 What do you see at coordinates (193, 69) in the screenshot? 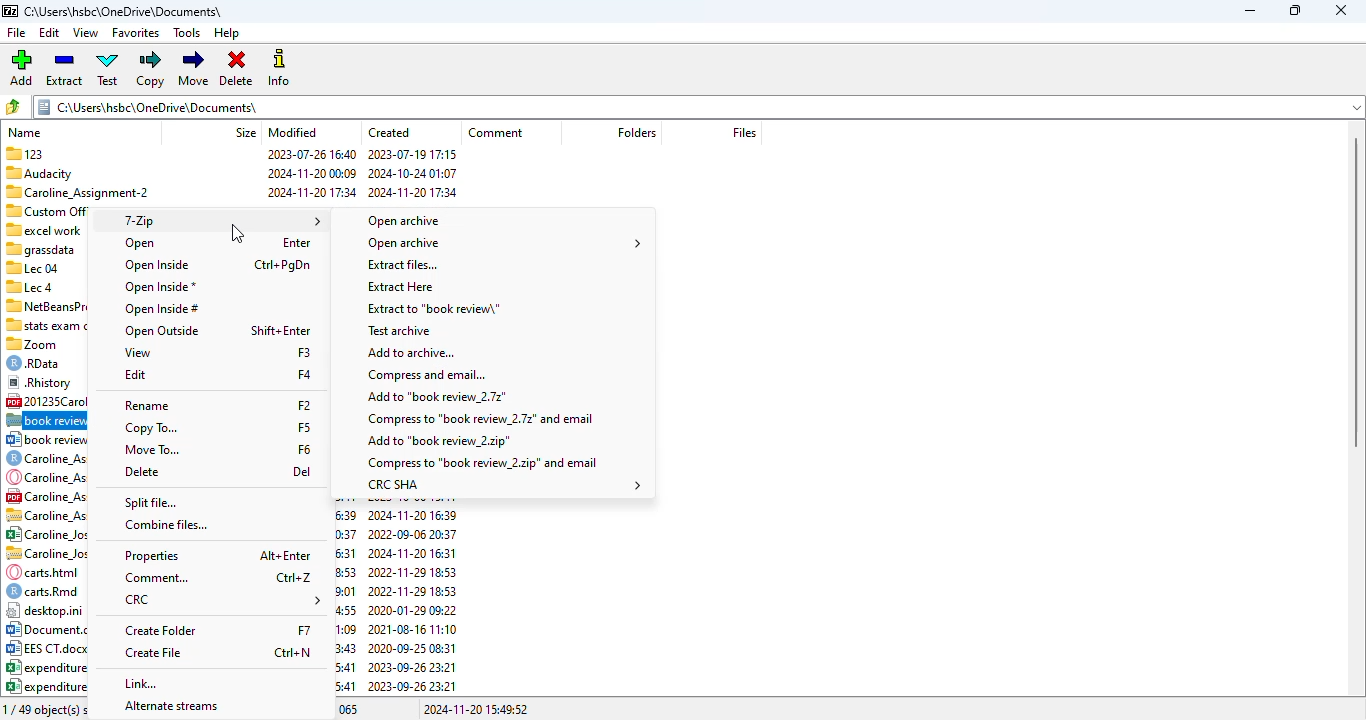
I see `move` at bounding box center [193, 69].